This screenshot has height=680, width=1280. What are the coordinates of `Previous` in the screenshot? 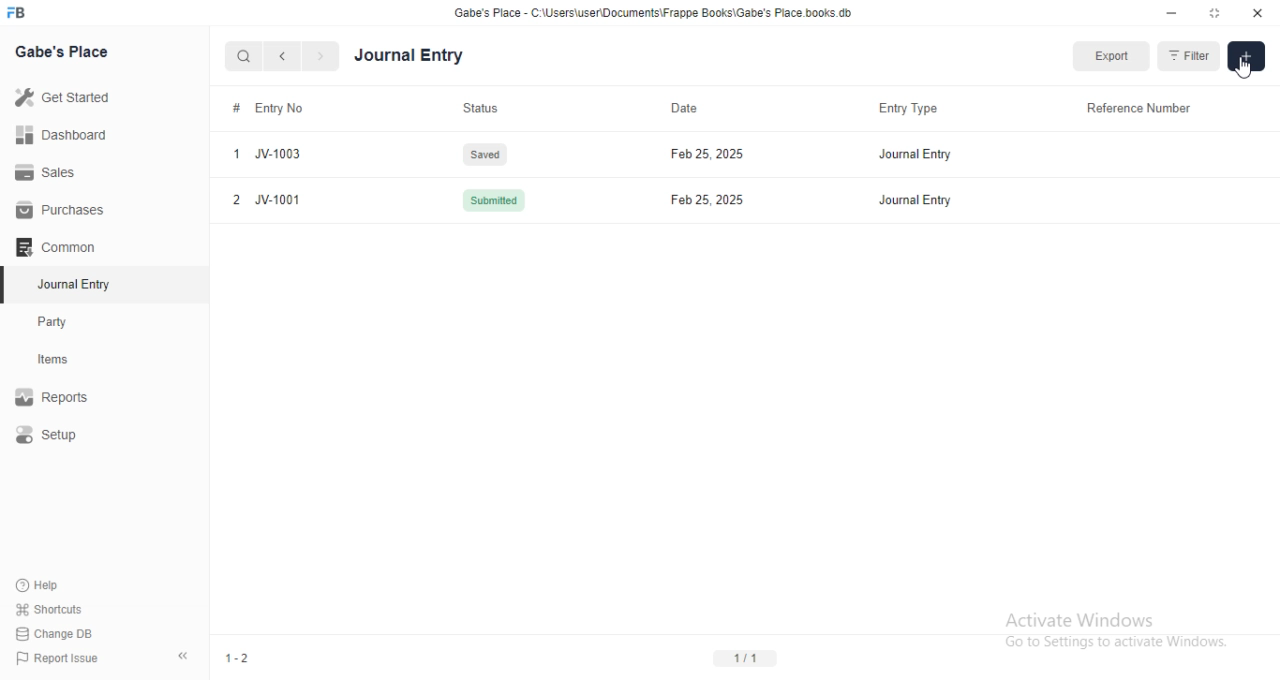 It's located at (283, 57).